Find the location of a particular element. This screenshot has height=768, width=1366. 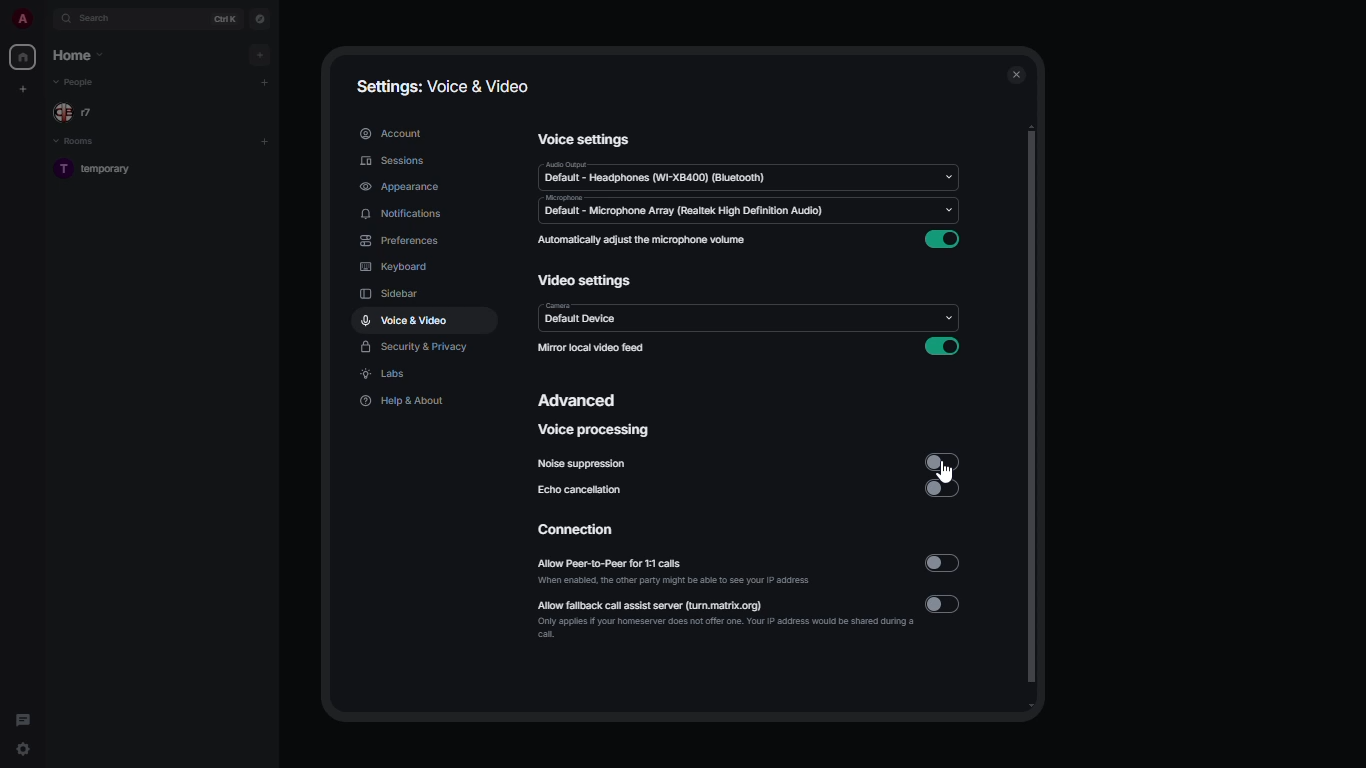

expand is located at coordinates (48, 19).